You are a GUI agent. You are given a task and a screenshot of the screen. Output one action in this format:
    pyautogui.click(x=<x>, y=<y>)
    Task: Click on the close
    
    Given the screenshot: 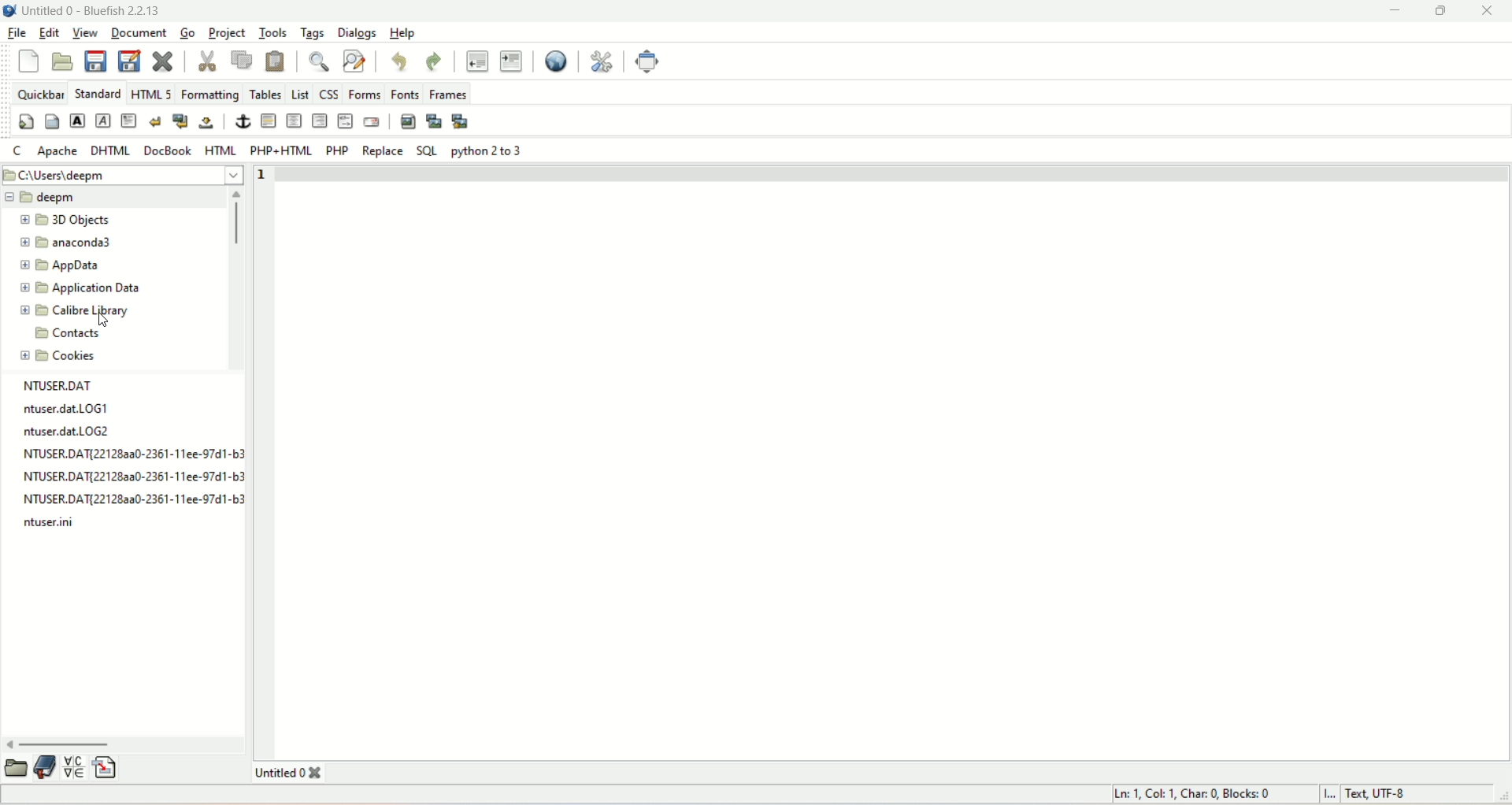 What is the action you would take?
    pyautogui.click(x=1485, y=13)
    